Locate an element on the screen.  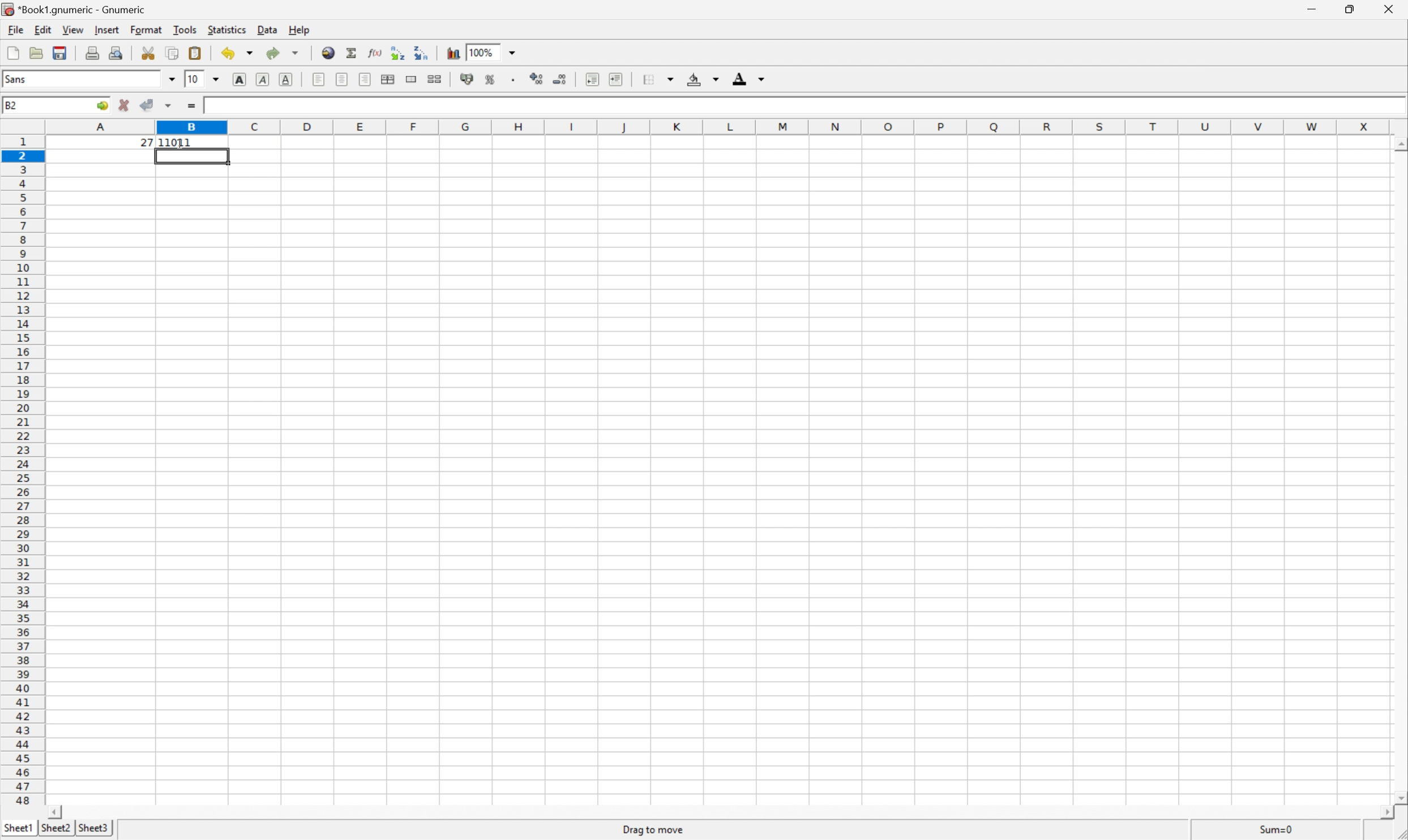
Print current file is located at coordinates (95, 52).